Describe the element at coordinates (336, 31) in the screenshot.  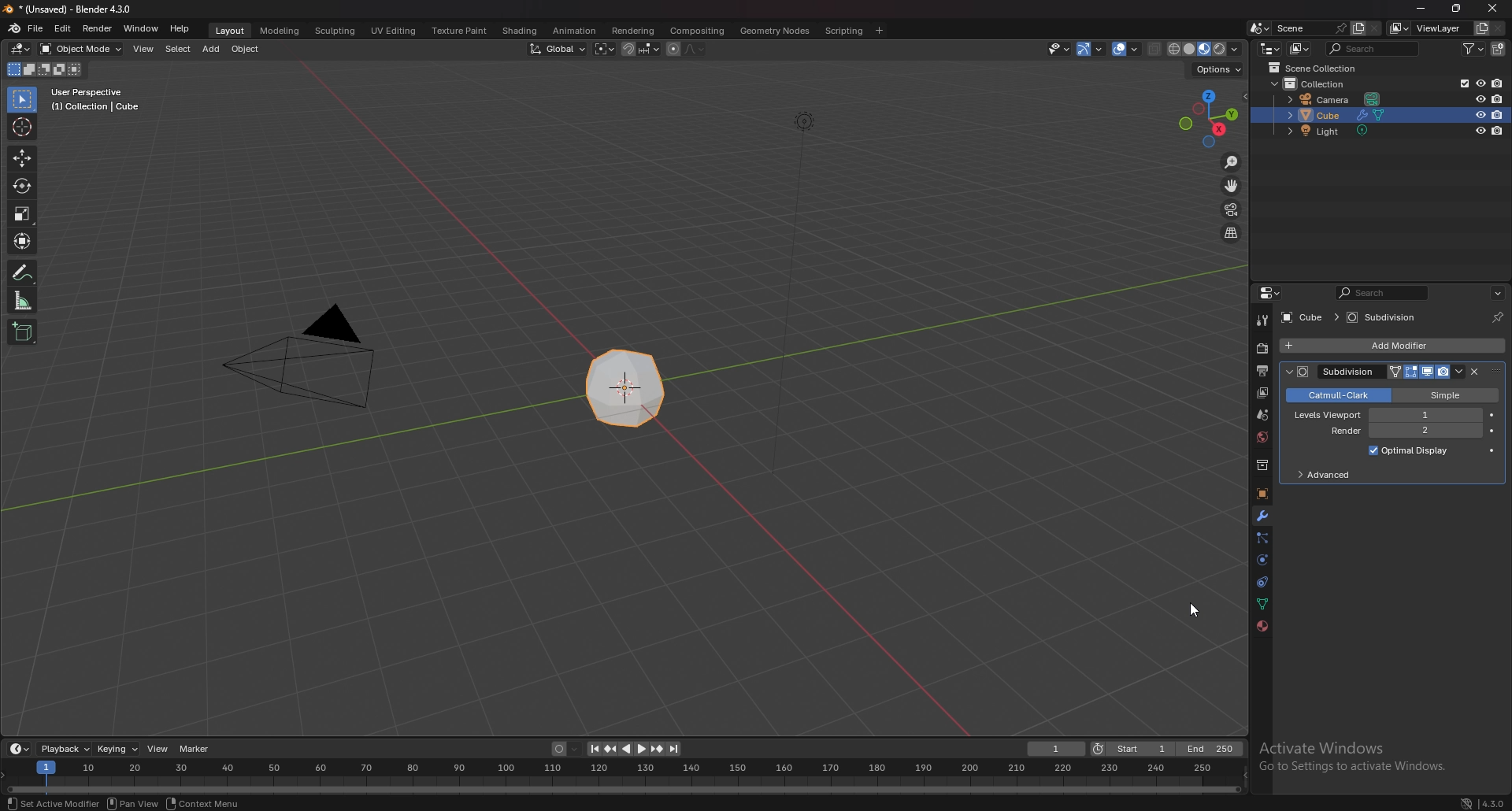
I see `sculpting` at that location.